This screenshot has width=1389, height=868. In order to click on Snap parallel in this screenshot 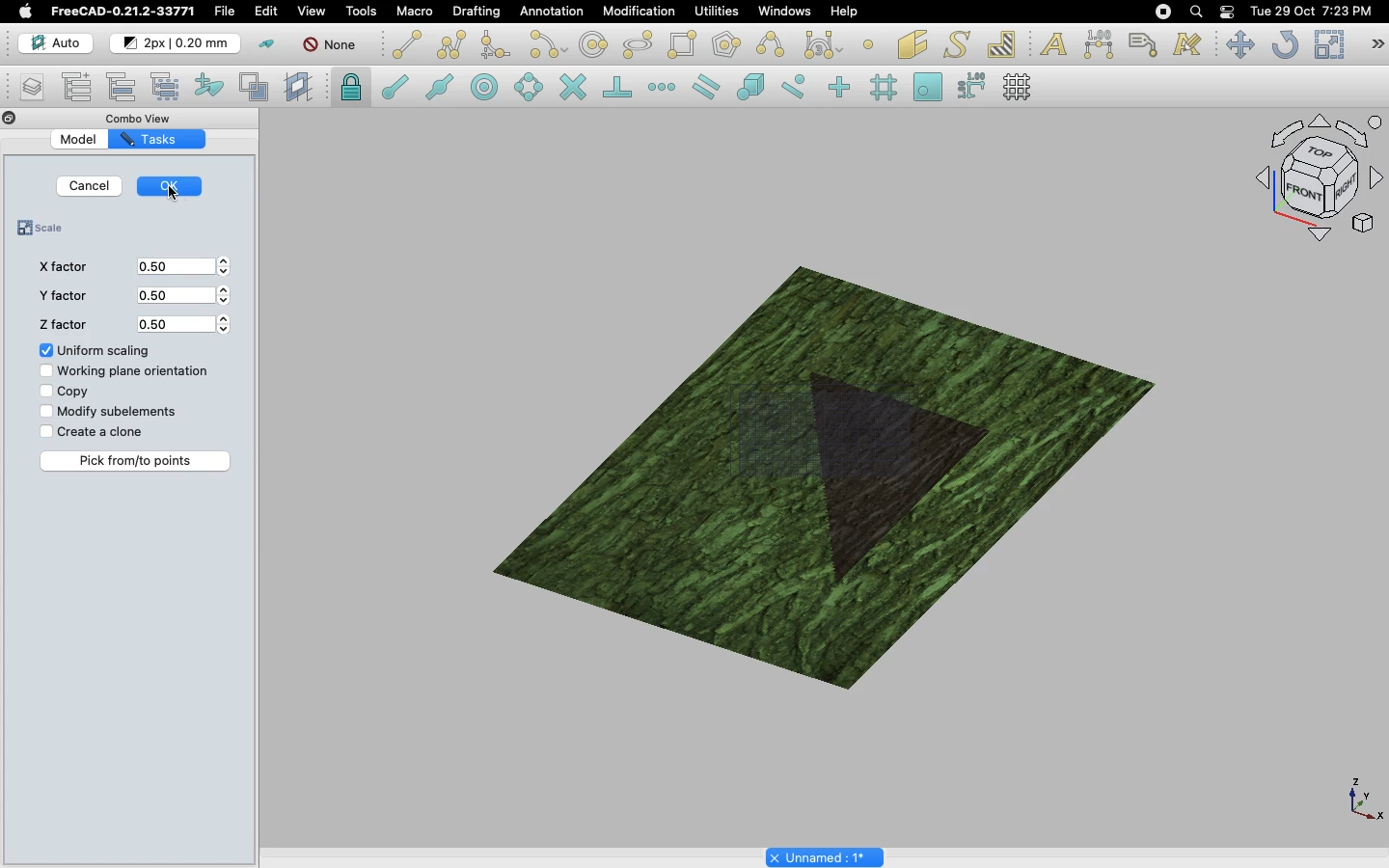, I will do `click(704, 87)`.